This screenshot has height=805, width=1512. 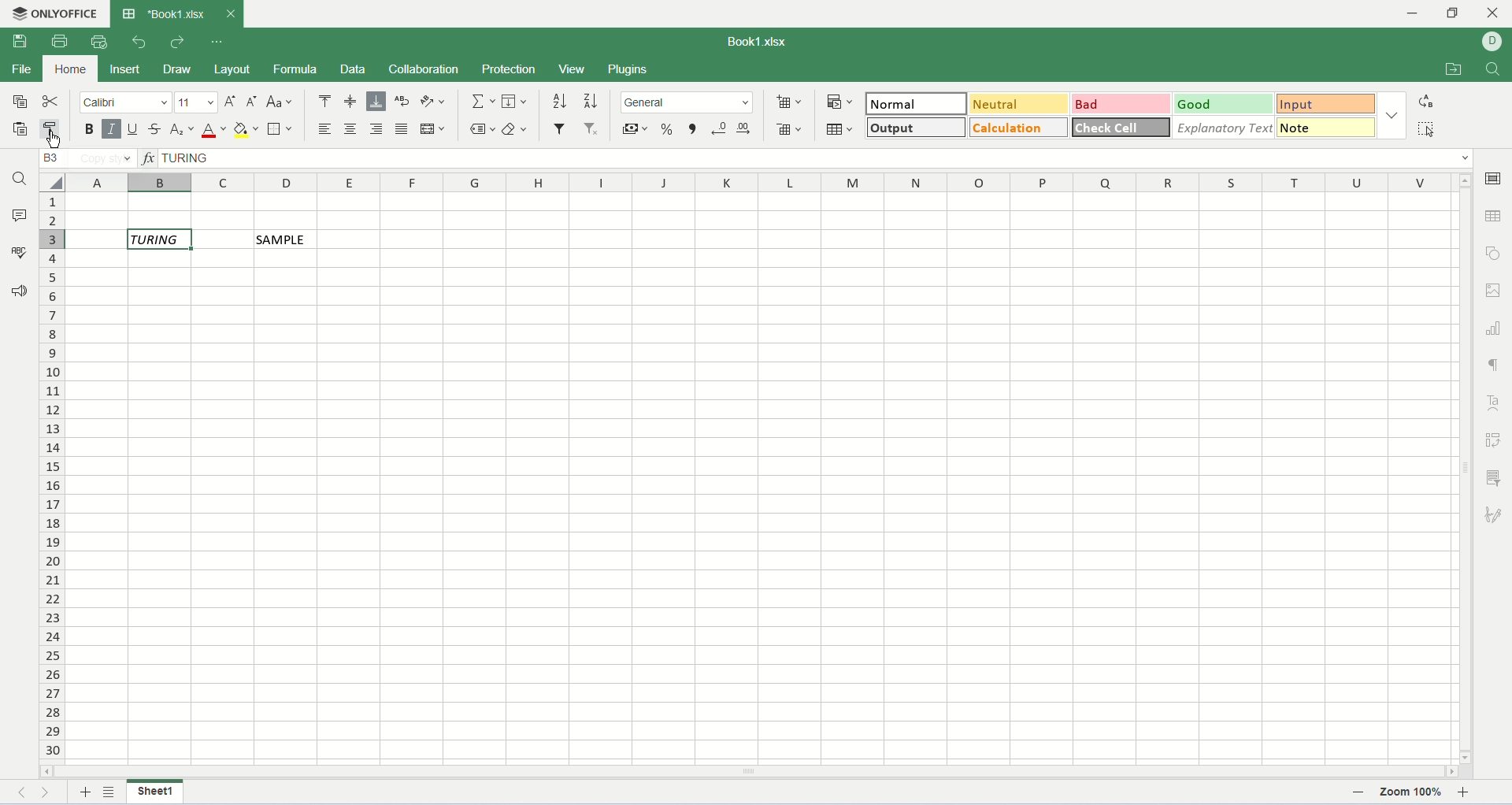 What do you see at coordinates (571, 69) in the screenshot?
I see `view` at bounding box center [571, 69].